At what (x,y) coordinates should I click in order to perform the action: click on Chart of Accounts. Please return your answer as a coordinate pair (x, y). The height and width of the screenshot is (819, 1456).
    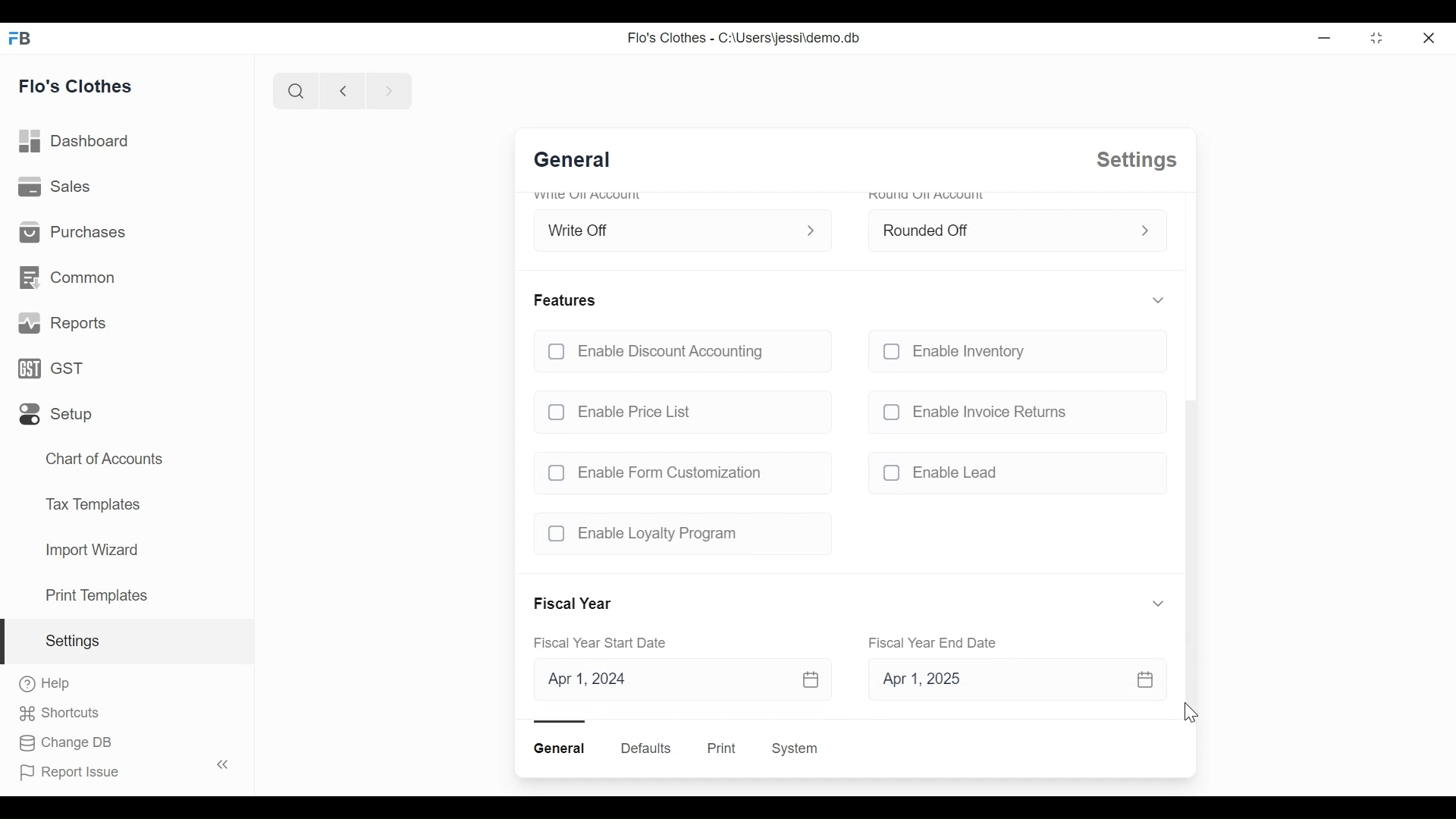
    Looking at the image, I should click on (108, 457).